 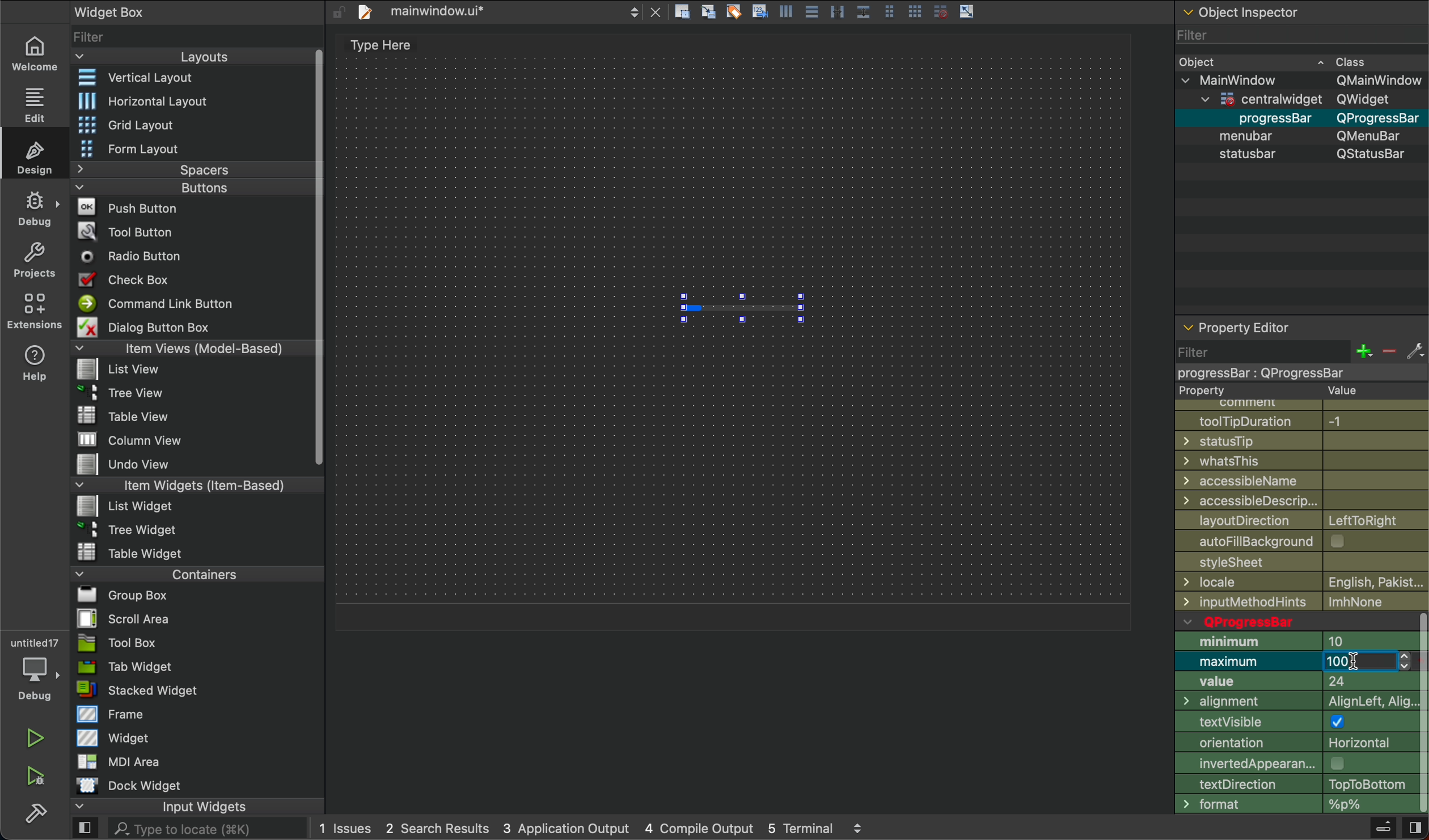 I want to click on Command button, so click(x=161, y=303).